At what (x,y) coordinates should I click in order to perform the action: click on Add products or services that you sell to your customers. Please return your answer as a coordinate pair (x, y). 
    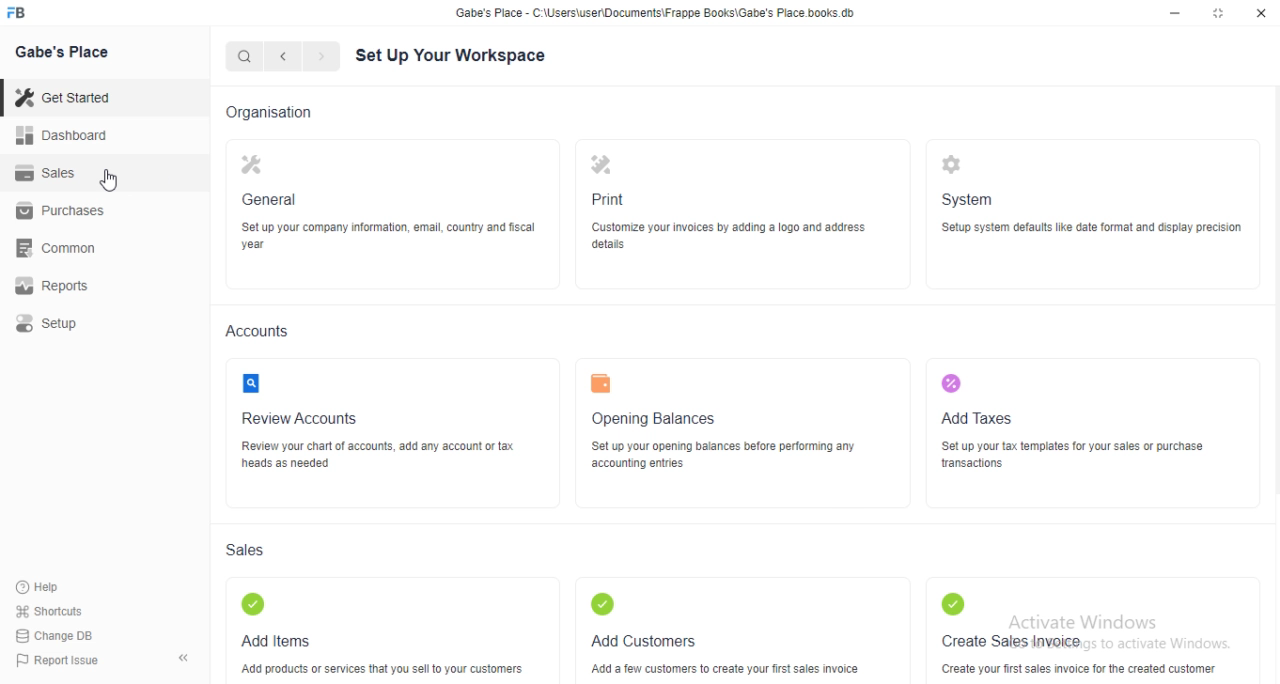
    Looking at the image, I should click on (381, 670).